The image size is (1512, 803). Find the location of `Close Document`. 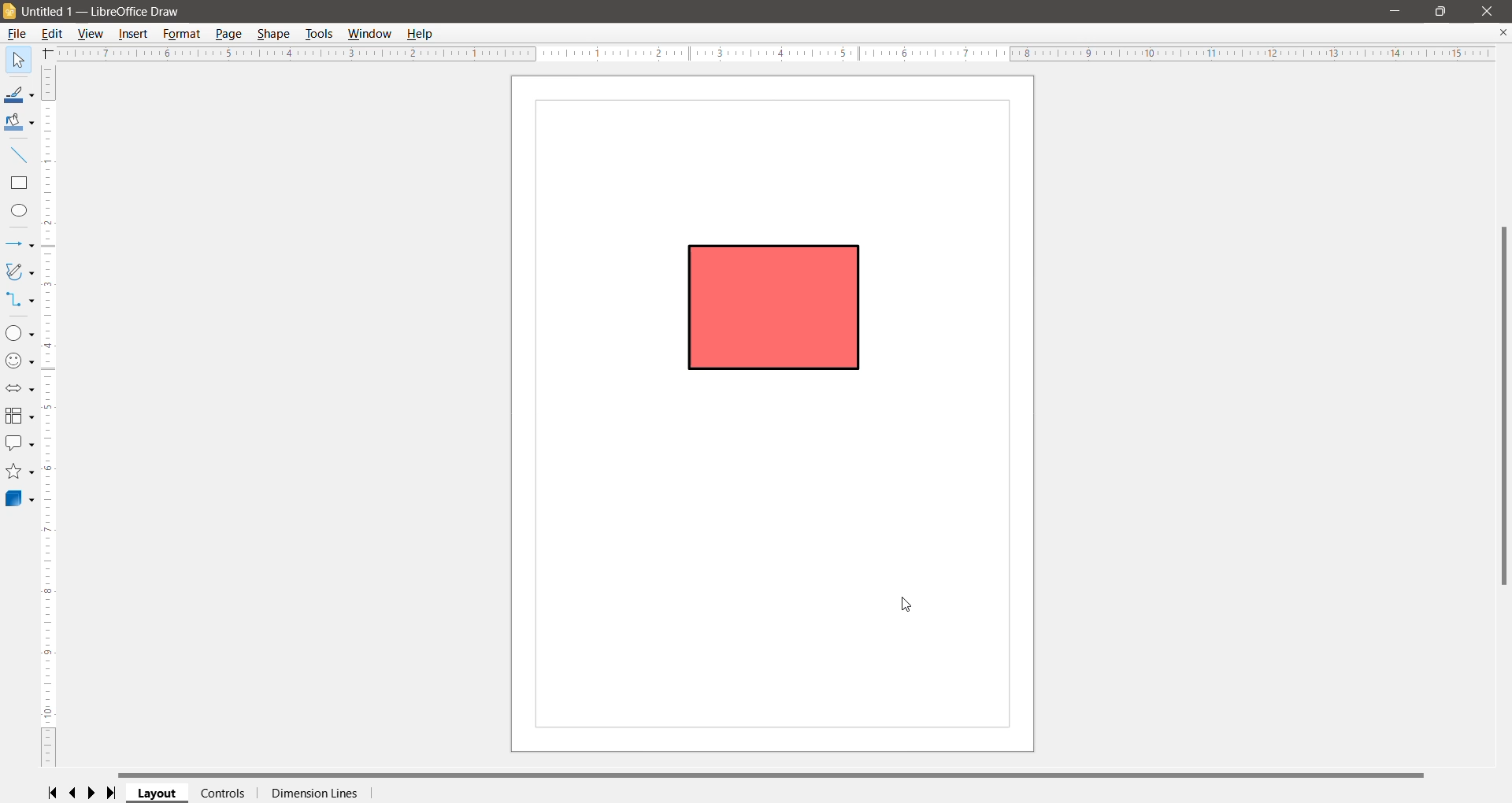

Close Document is located at coordinates (1503, 32).